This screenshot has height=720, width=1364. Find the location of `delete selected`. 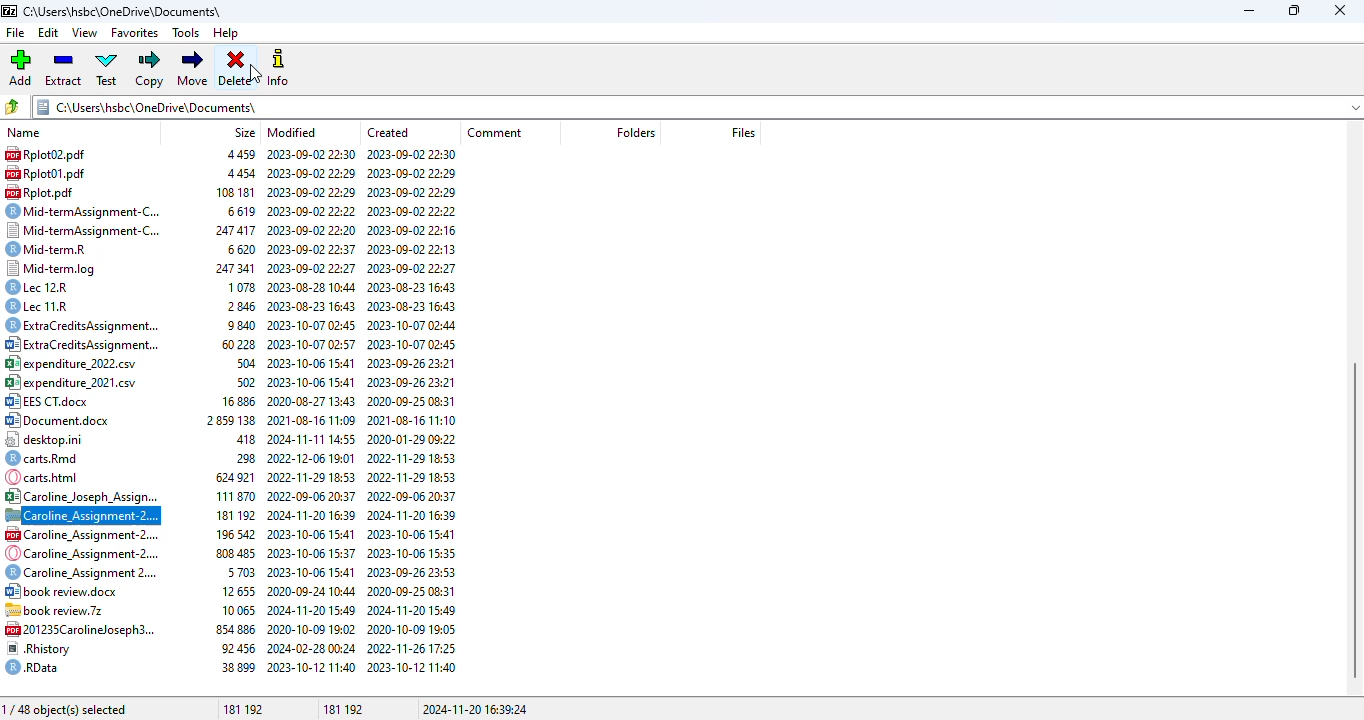

delete selected is located at coordinates (236, 70).